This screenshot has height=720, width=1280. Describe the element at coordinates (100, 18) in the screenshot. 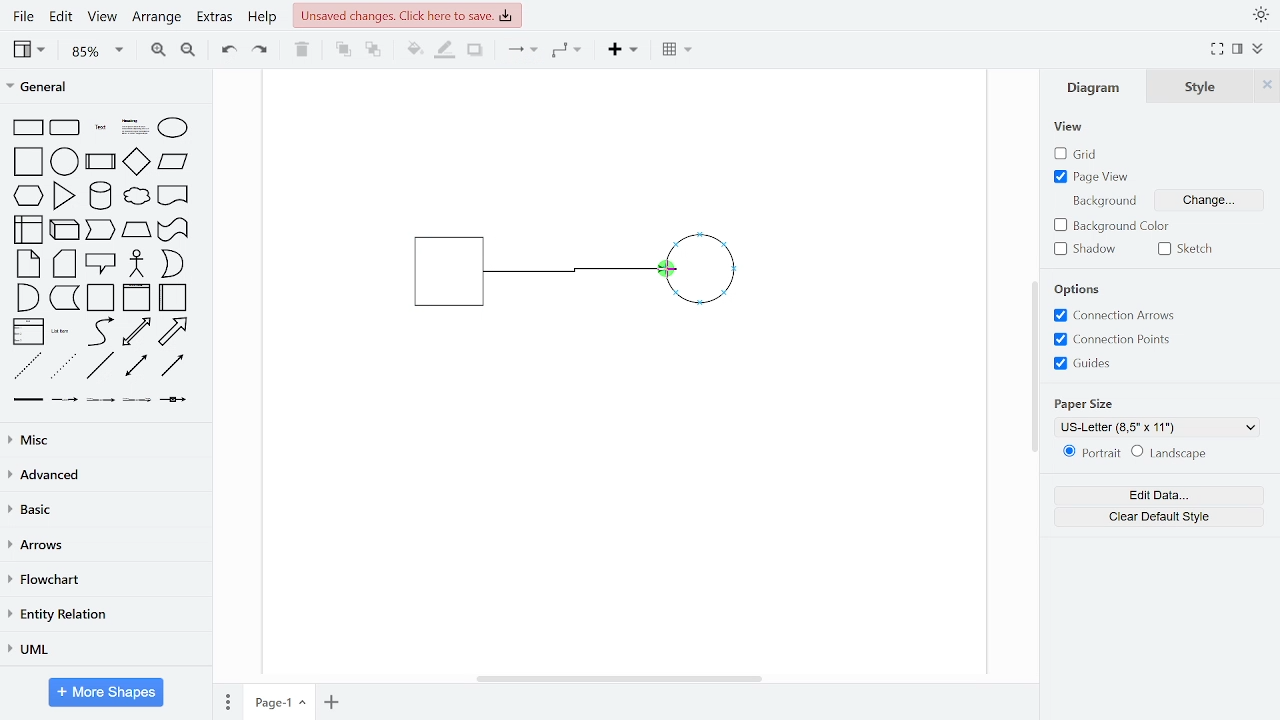

I see `view` at that location.